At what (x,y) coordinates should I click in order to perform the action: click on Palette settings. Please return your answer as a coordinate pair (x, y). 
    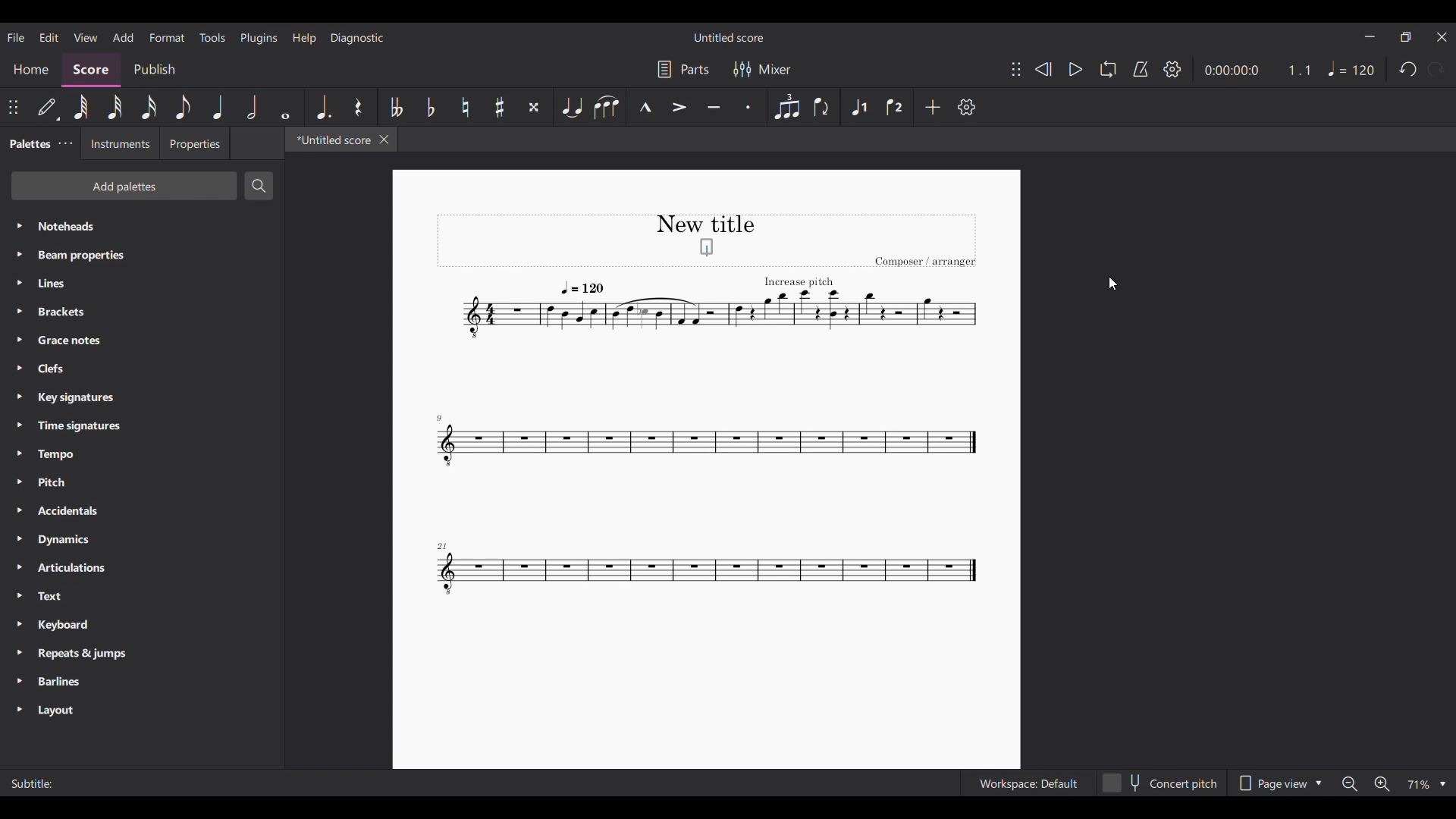
    Looking at the image, I should click on (65, 143).